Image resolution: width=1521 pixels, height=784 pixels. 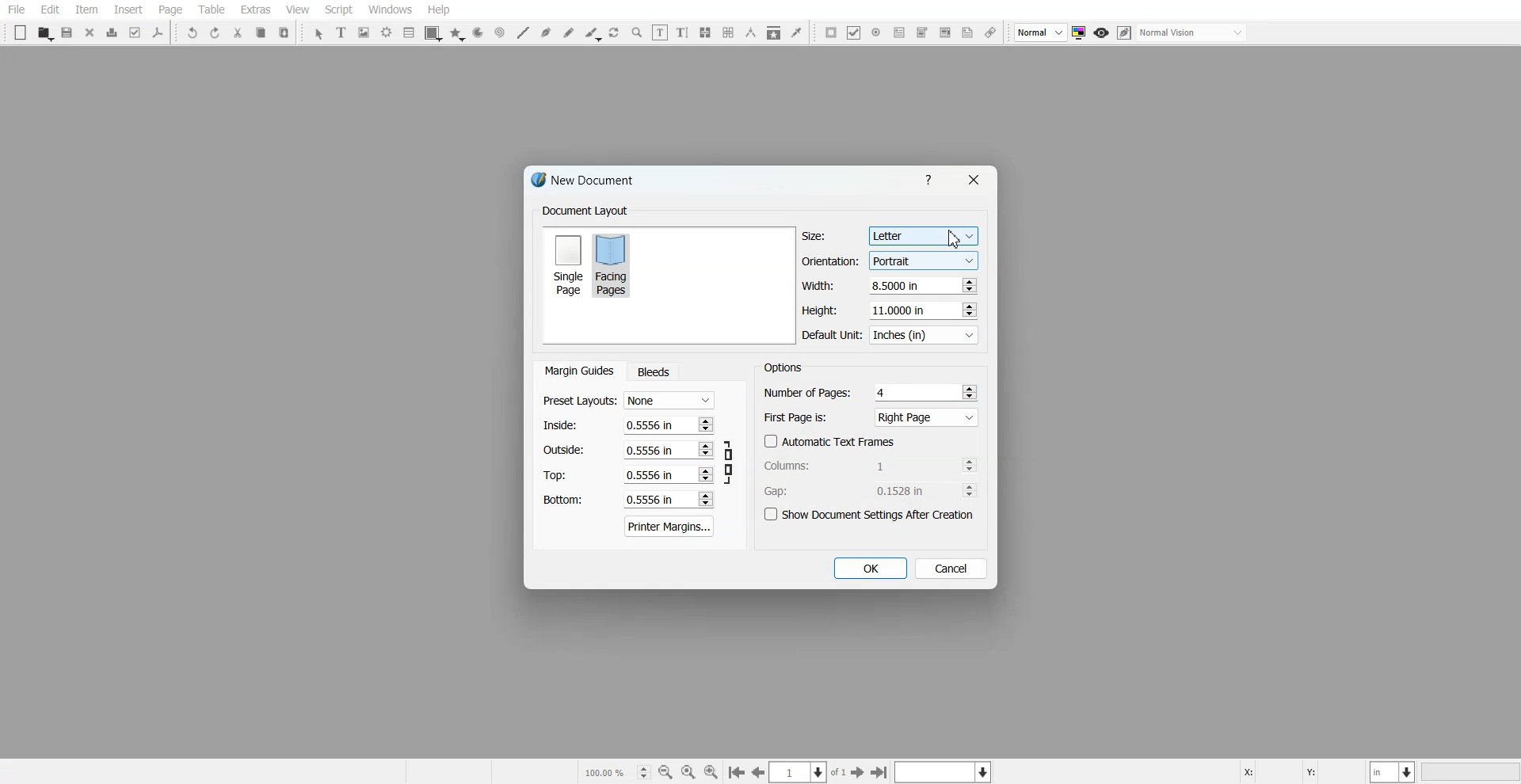 I want to click on 11.0000 in, so click(x=900, y=310).